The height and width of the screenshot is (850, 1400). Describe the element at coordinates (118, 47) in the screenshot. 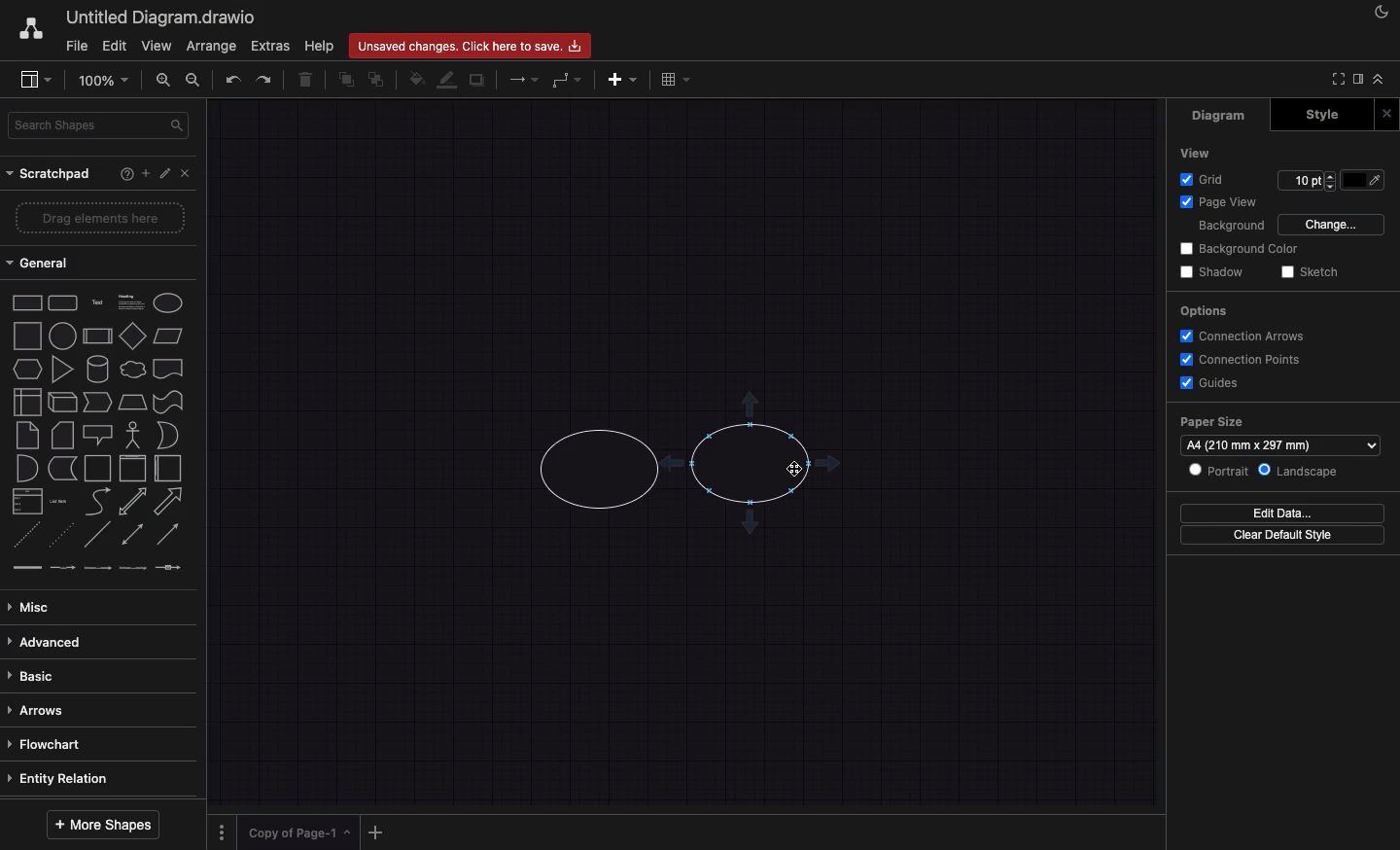

I see `edit` at that location.